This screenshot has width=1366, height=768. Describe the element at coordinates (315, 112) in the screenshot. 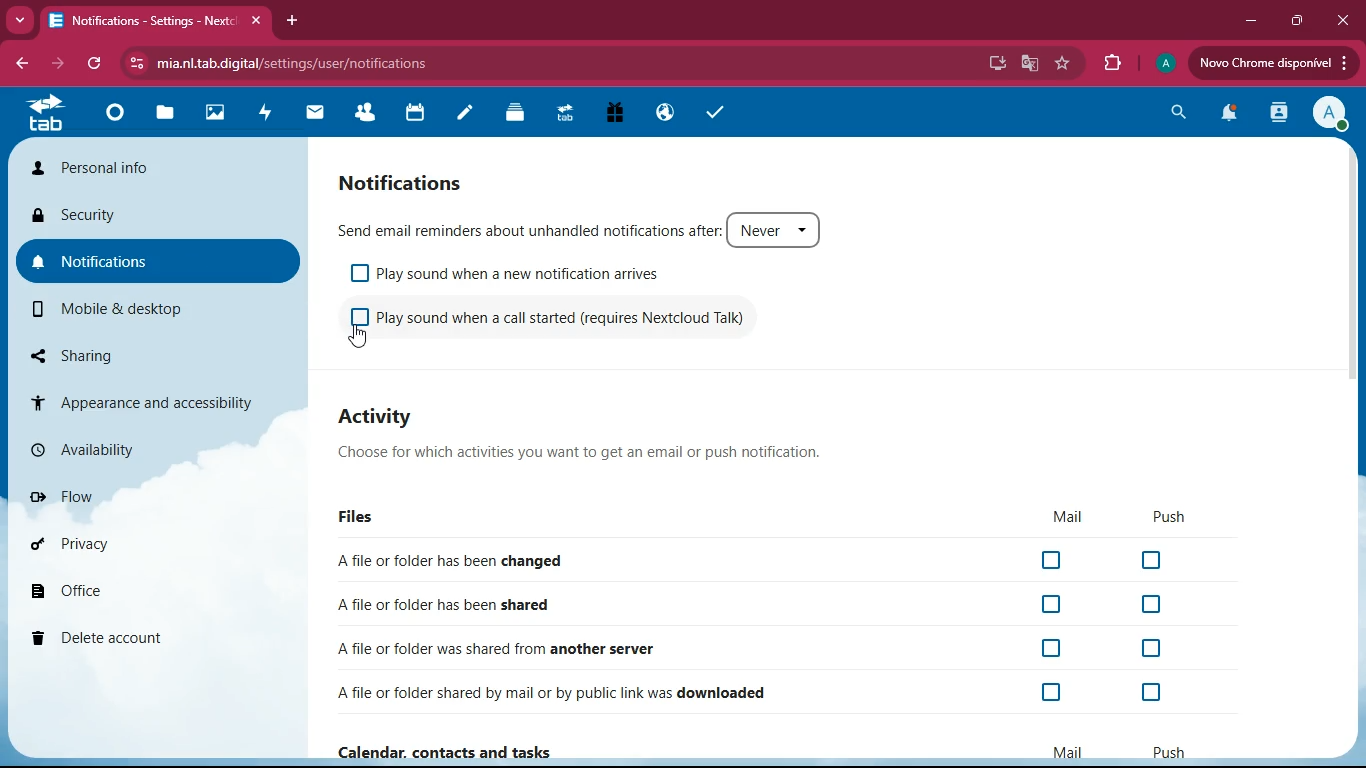

I see `mail` at that location.